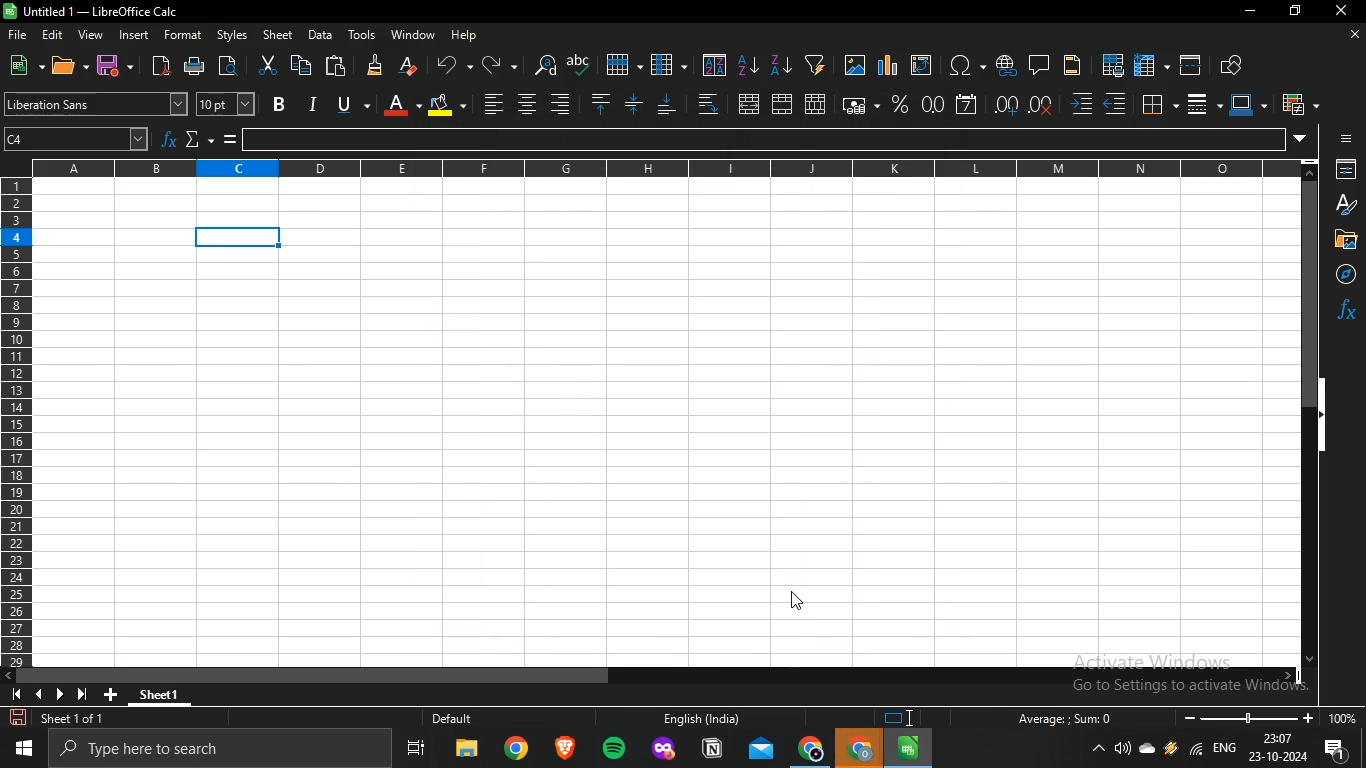 The image size is (1366, 768). Describe the element at coordinates (668, 65) in the screenshot. I see `column` at that location.